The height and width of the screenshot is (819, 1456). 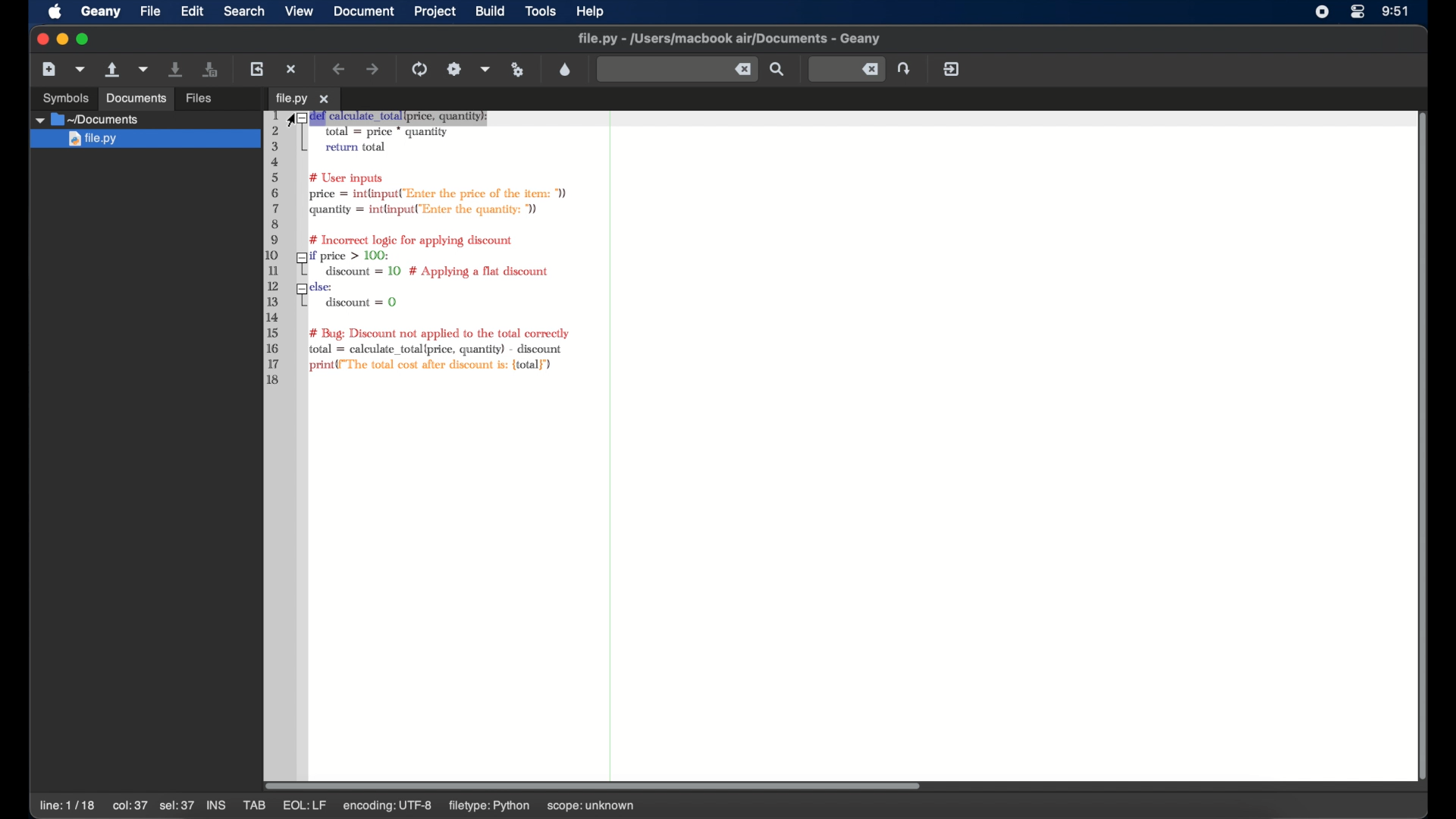 What do you see at coordinates (1323, 11) in the screenshot?
I see `screen recorder icon` at bounding box center [1323, 11].